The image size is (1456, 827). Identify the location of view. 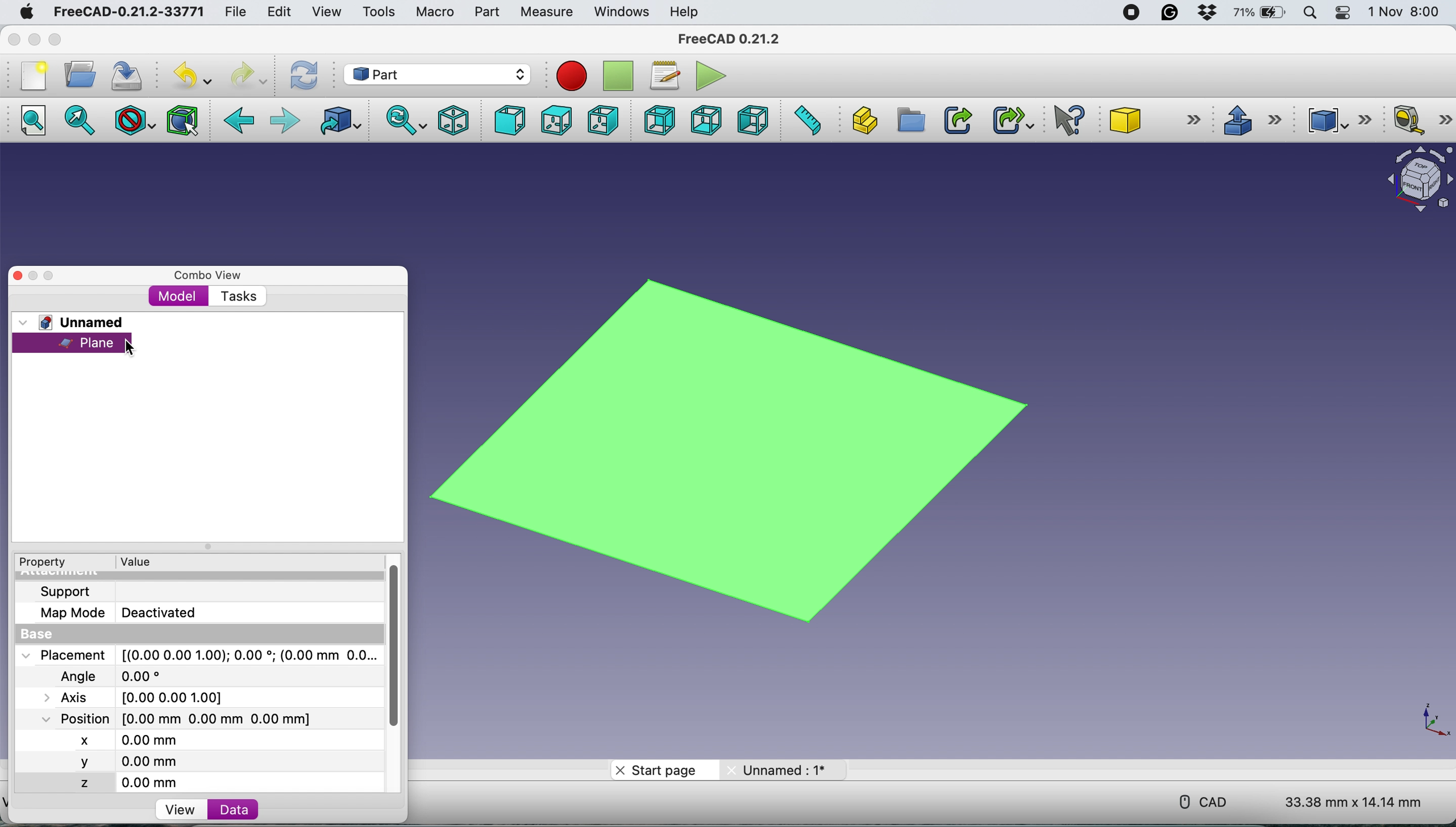
(327, 12).